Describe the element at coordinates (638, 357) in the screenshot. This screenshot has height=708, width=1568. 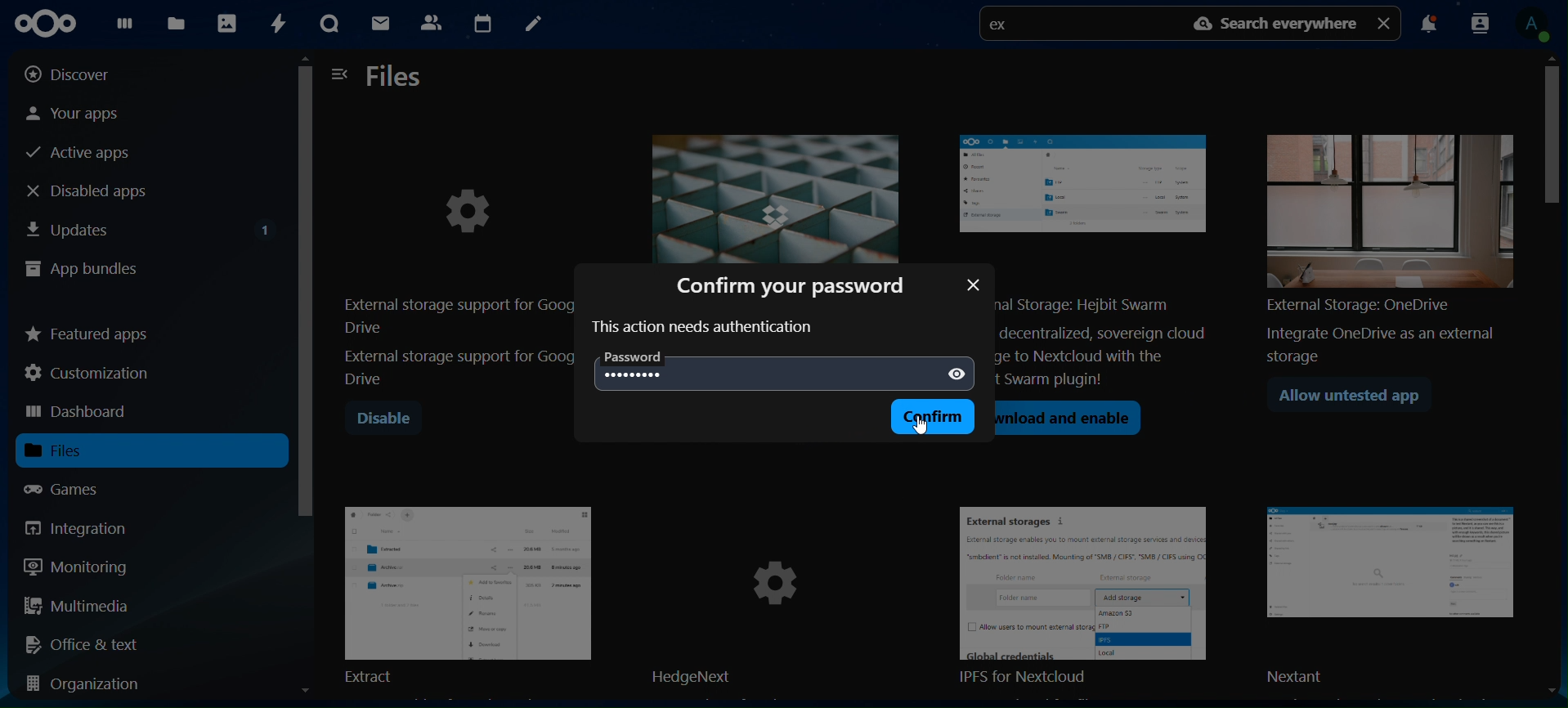
I see `password` at that location.